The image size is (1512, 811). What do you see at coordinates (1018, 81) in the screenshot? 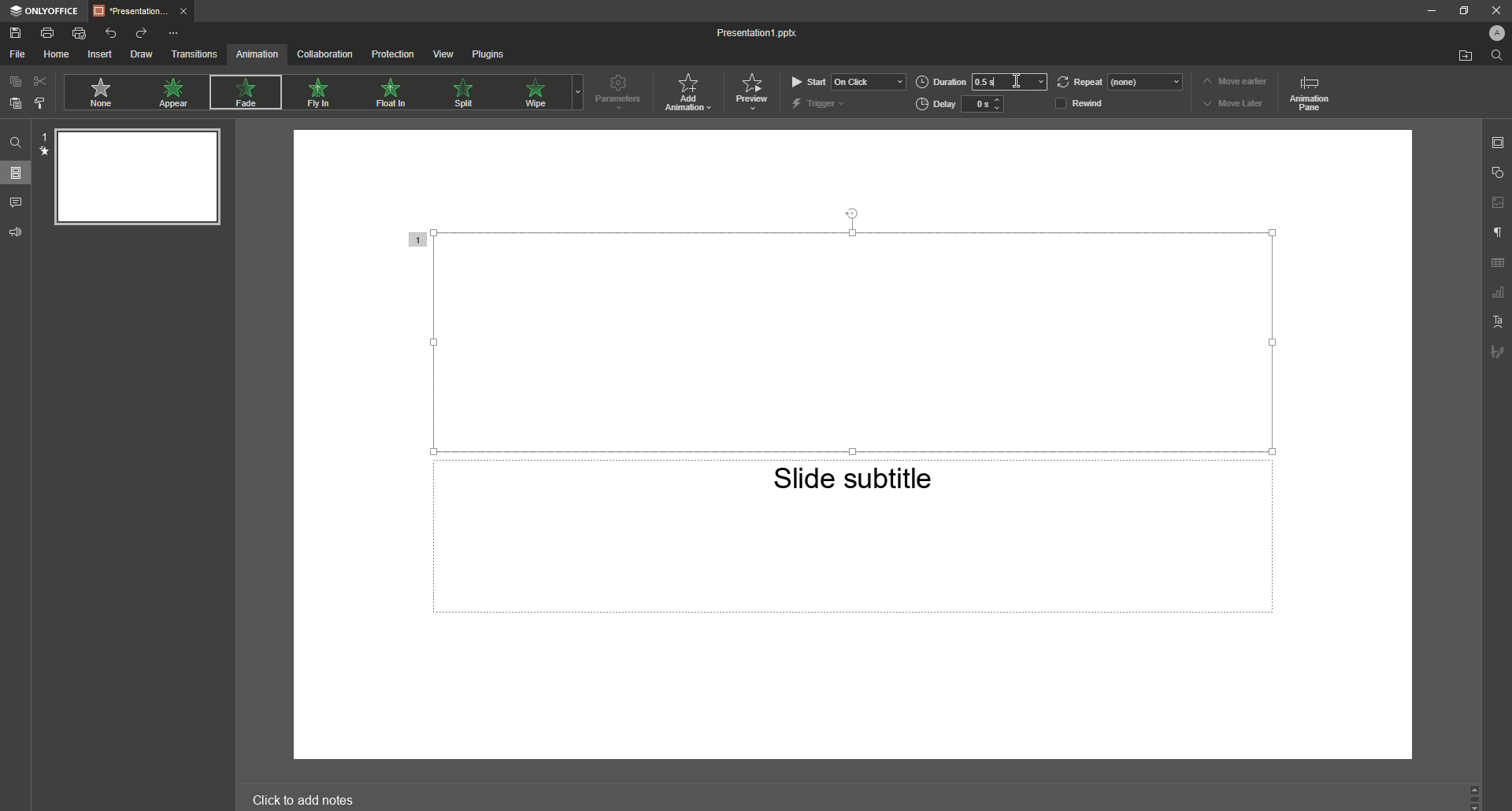
I see `Cursor` at bounding box center [1018, 81].